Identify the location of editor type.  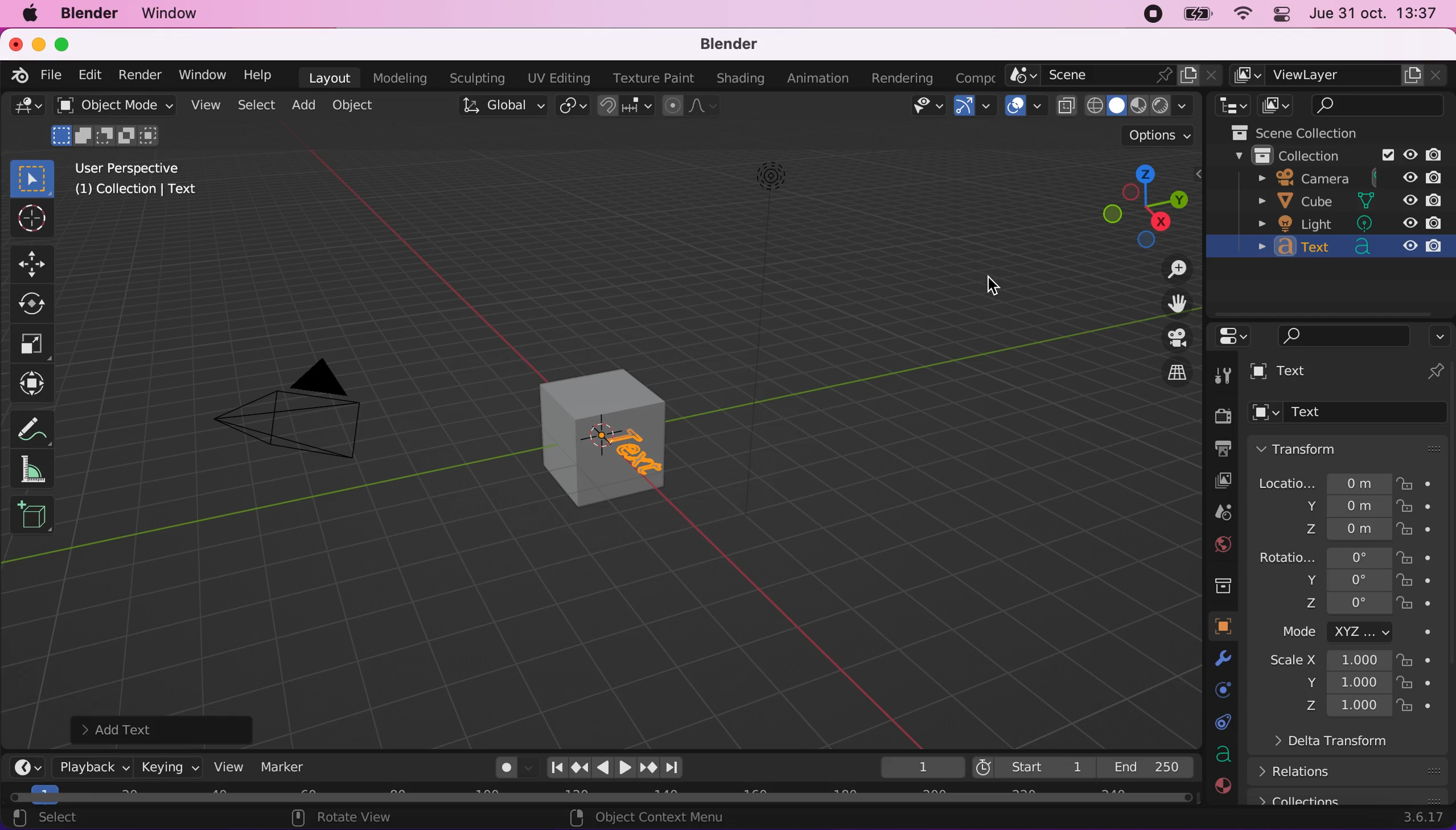
(26, 764).